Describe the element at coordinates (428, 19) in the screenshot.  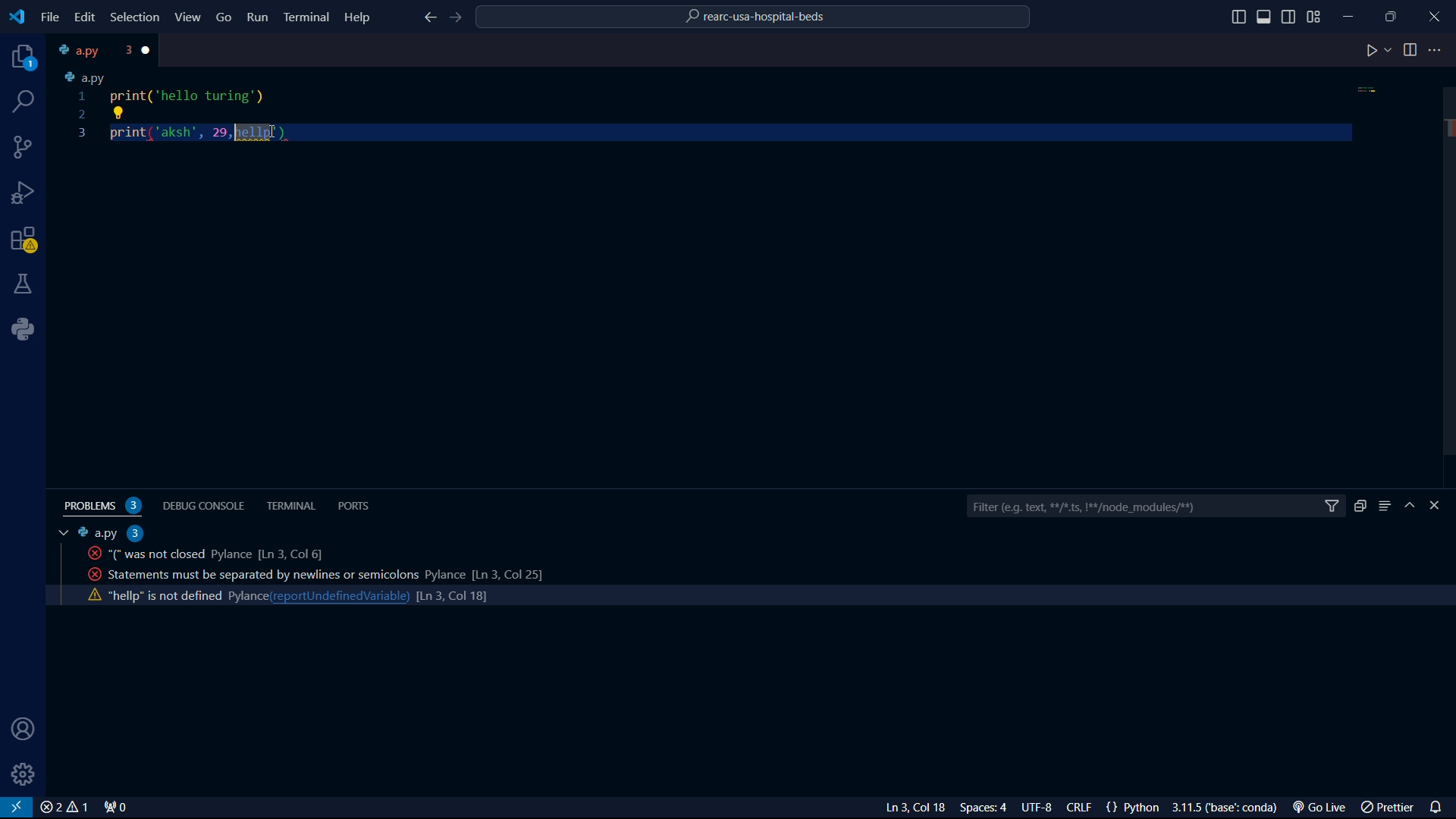
I see `back` at that location.